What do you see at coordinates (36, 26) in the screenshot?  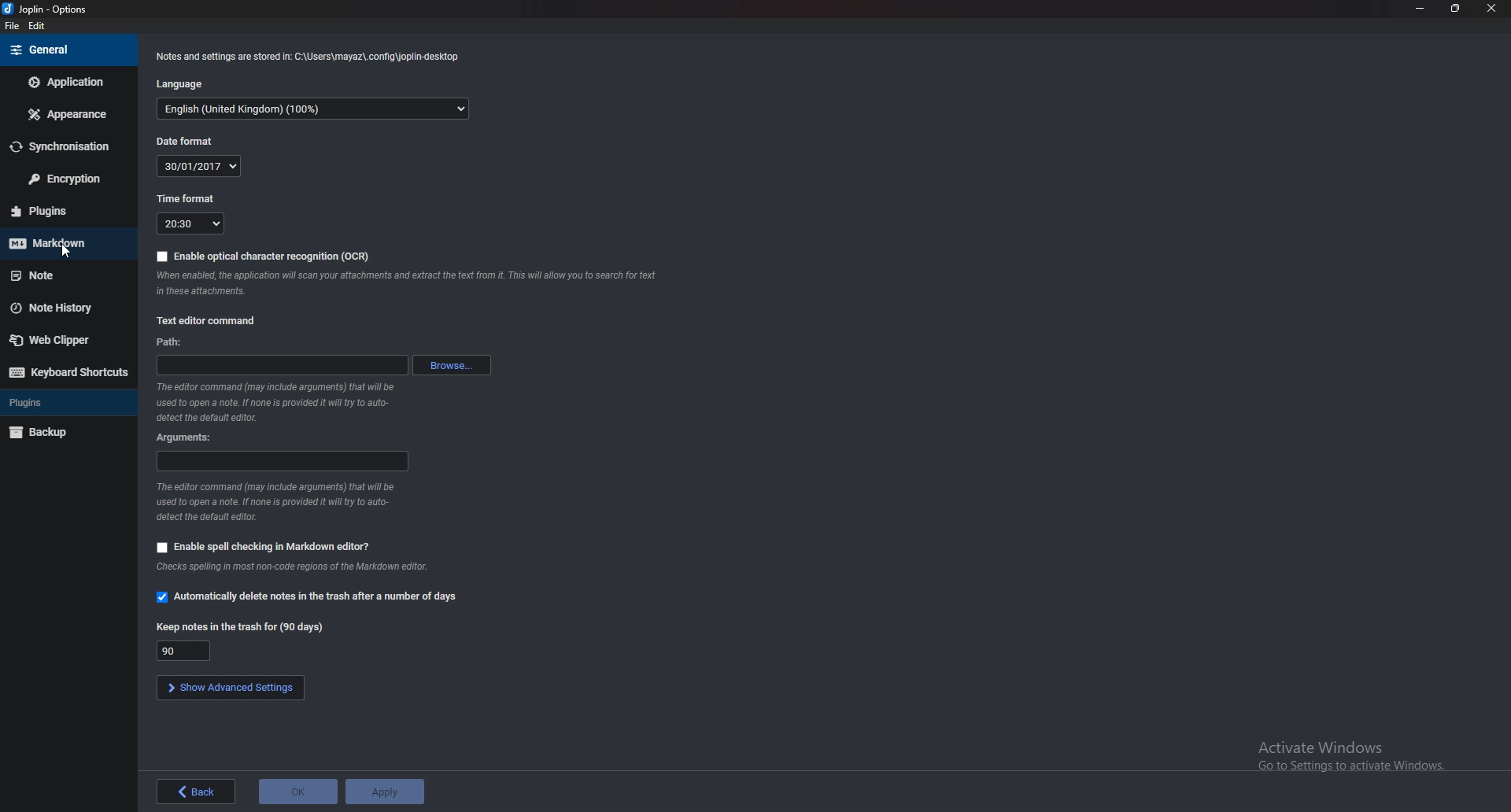 I see `edit` at bounding box center [36, 26].